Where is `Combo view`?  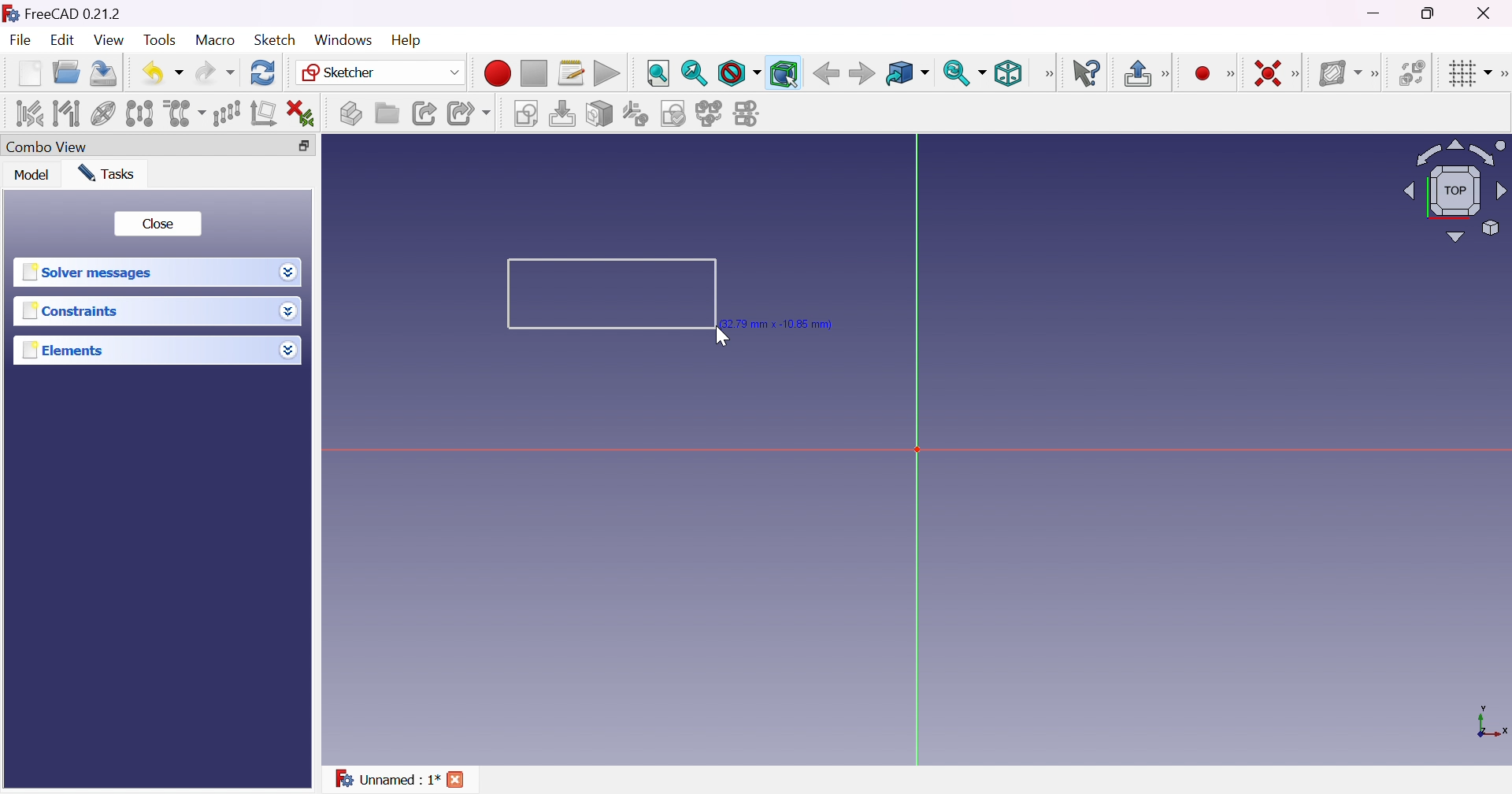
Combo view is located at coordinates (47, 147).